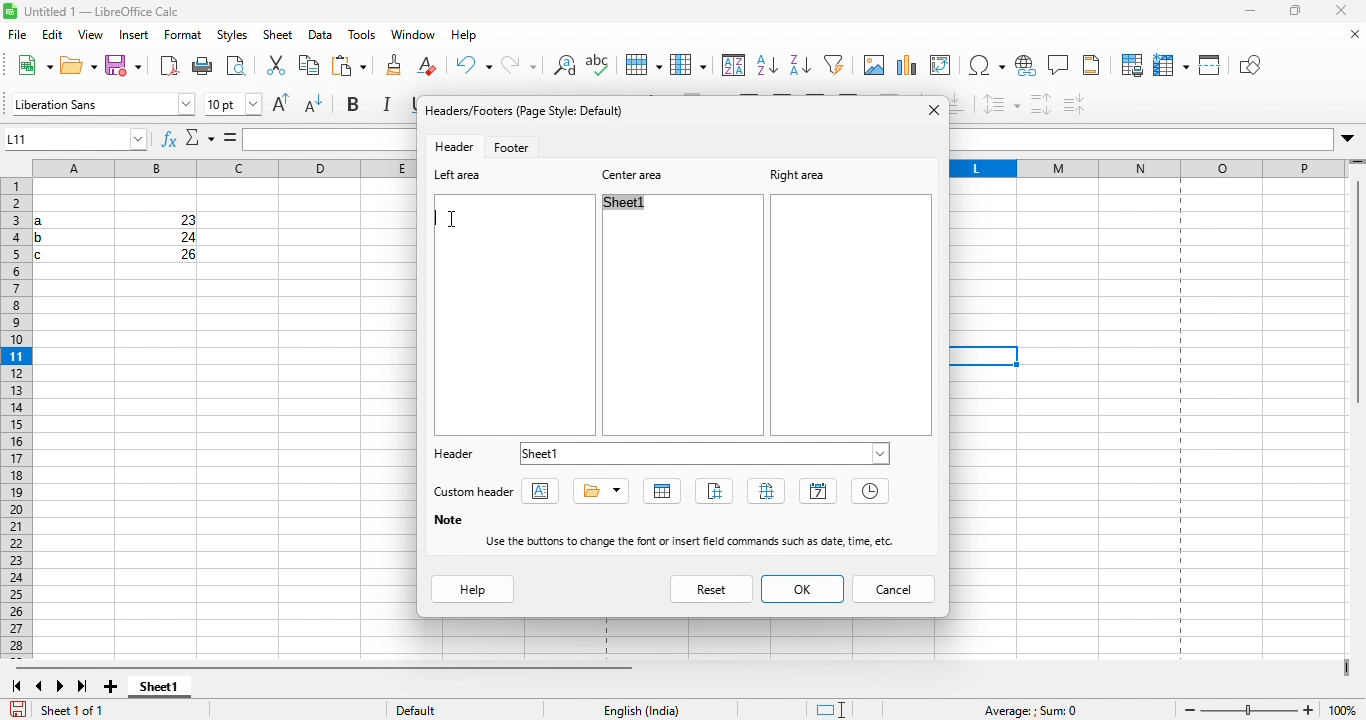  Describe the element at coordinates (835, 66) in the screenshot. I see `image` at that location.